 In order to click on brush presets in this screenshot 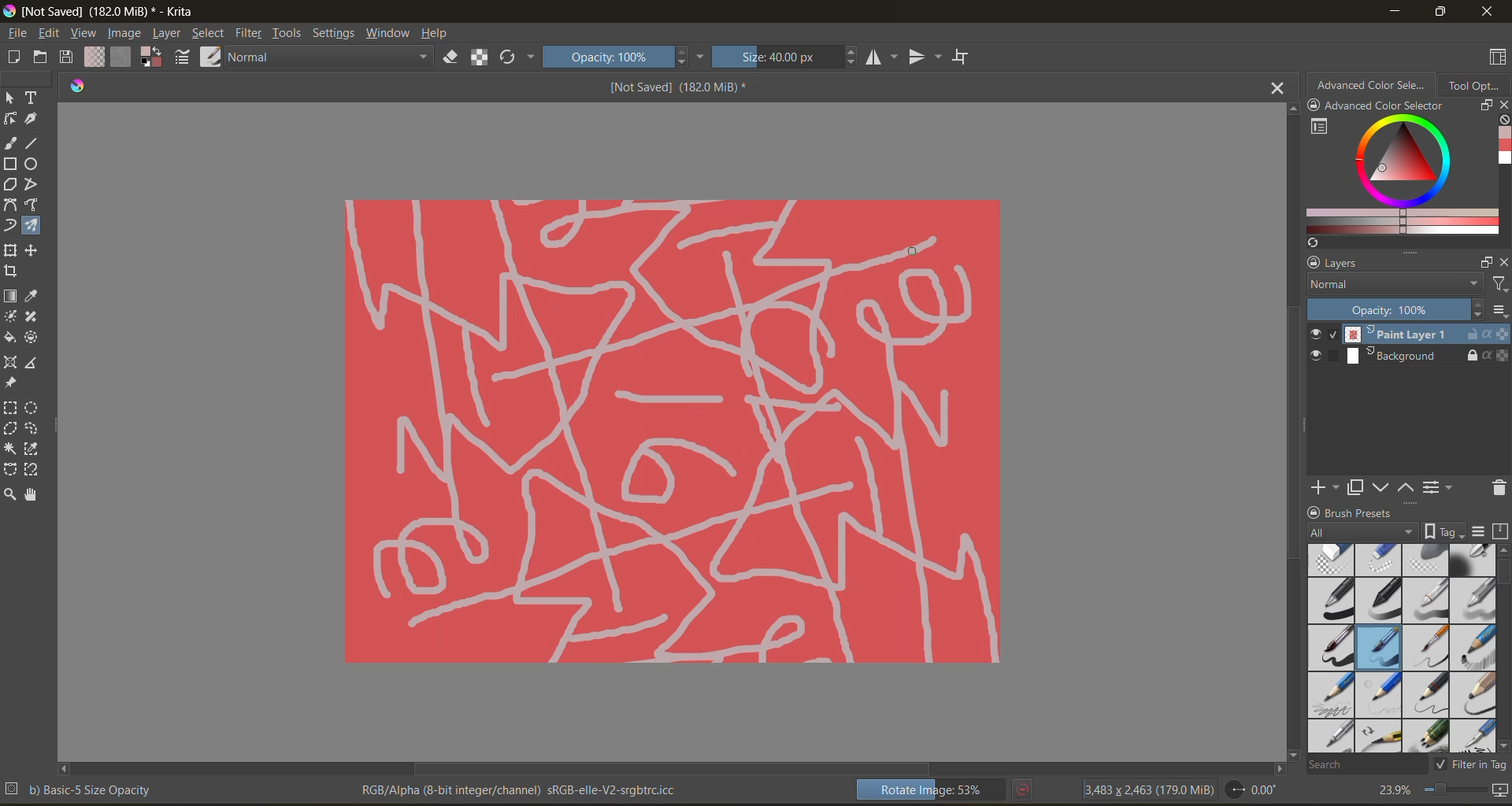, I will do `click(1403, 648)`.